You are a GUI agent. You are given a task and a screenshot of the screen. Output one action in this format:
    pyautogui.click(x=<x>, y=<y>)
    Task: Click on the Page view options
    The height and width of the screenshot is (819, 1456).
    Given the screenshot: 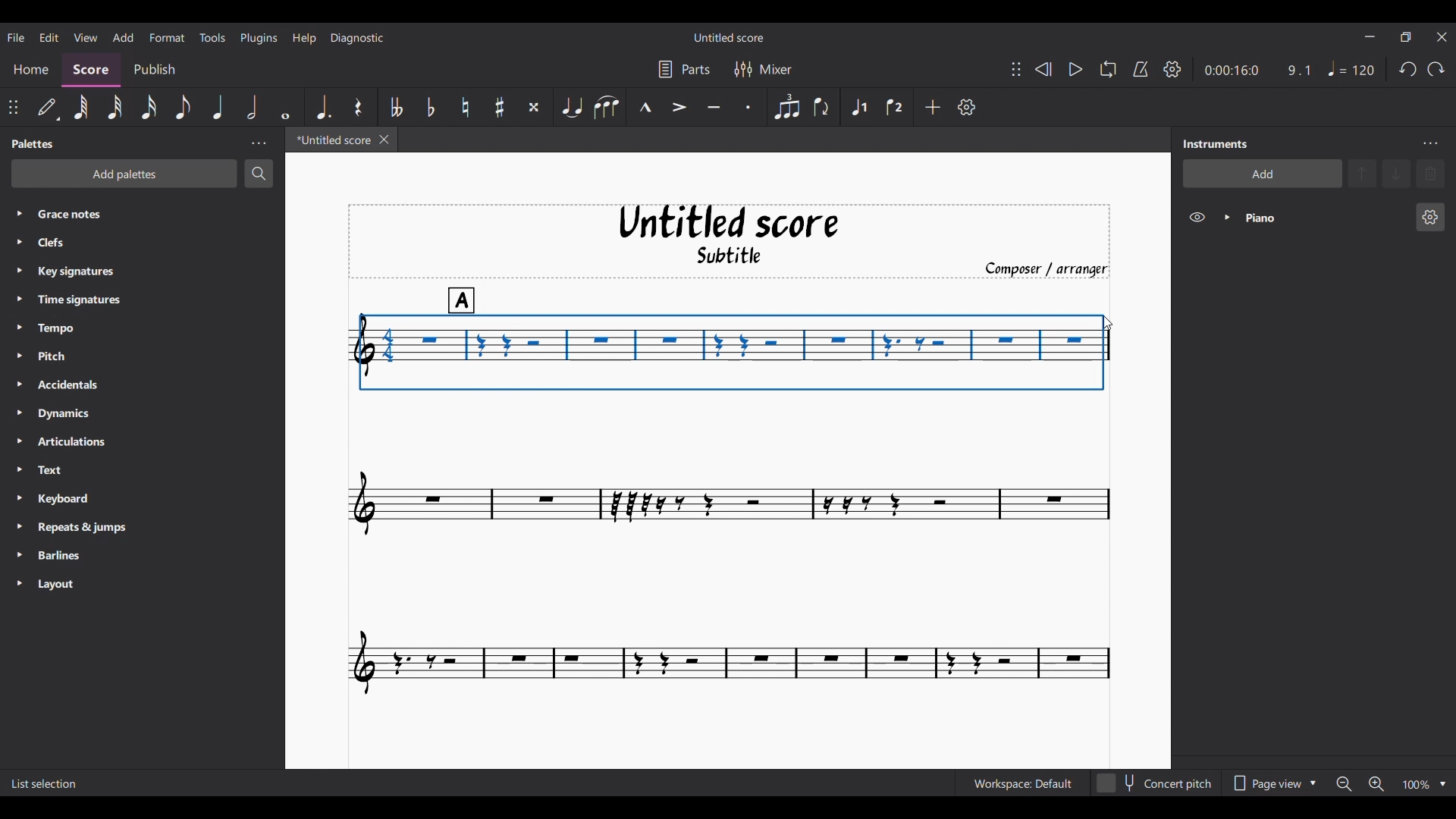 What is the action you would take?
    pyautogui.click(x=1273, y=783)
    